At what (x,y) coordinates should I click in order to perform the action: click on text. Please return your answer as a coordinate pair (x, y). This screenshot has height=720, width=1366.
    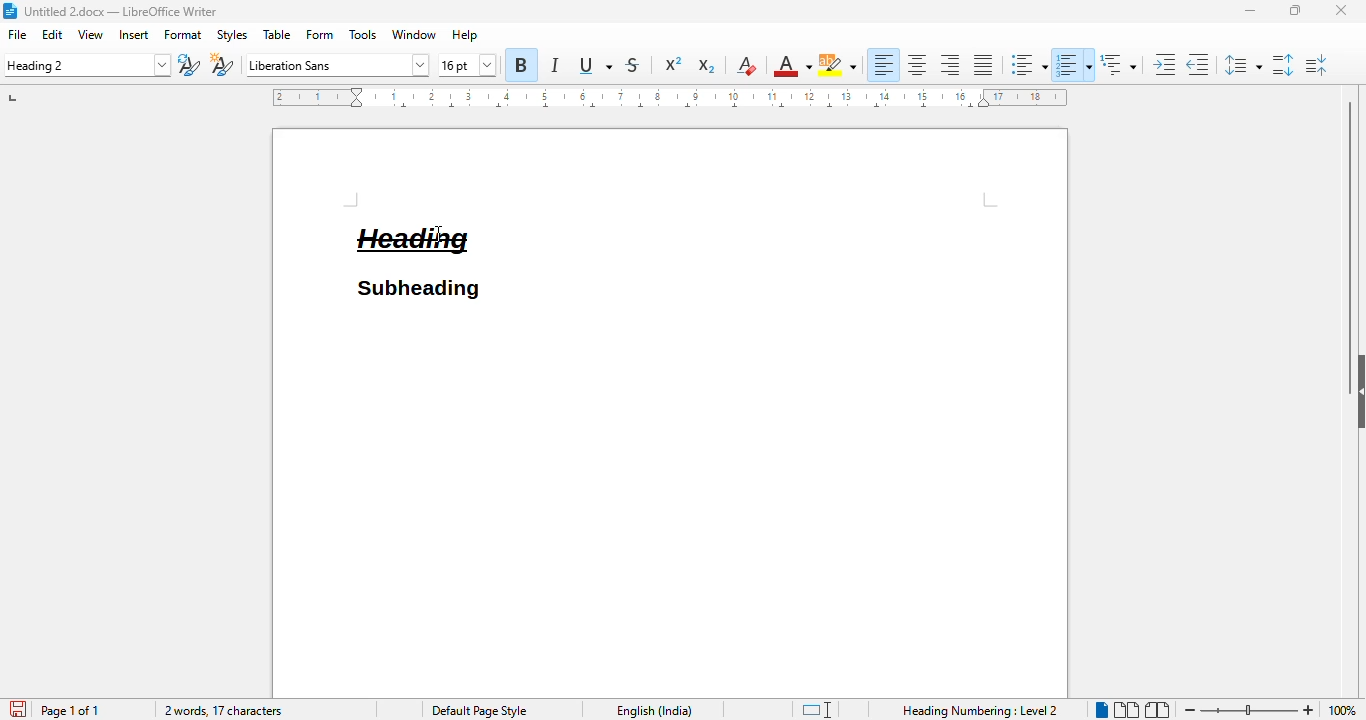
    Looking at the image, I should click on (417, 242).